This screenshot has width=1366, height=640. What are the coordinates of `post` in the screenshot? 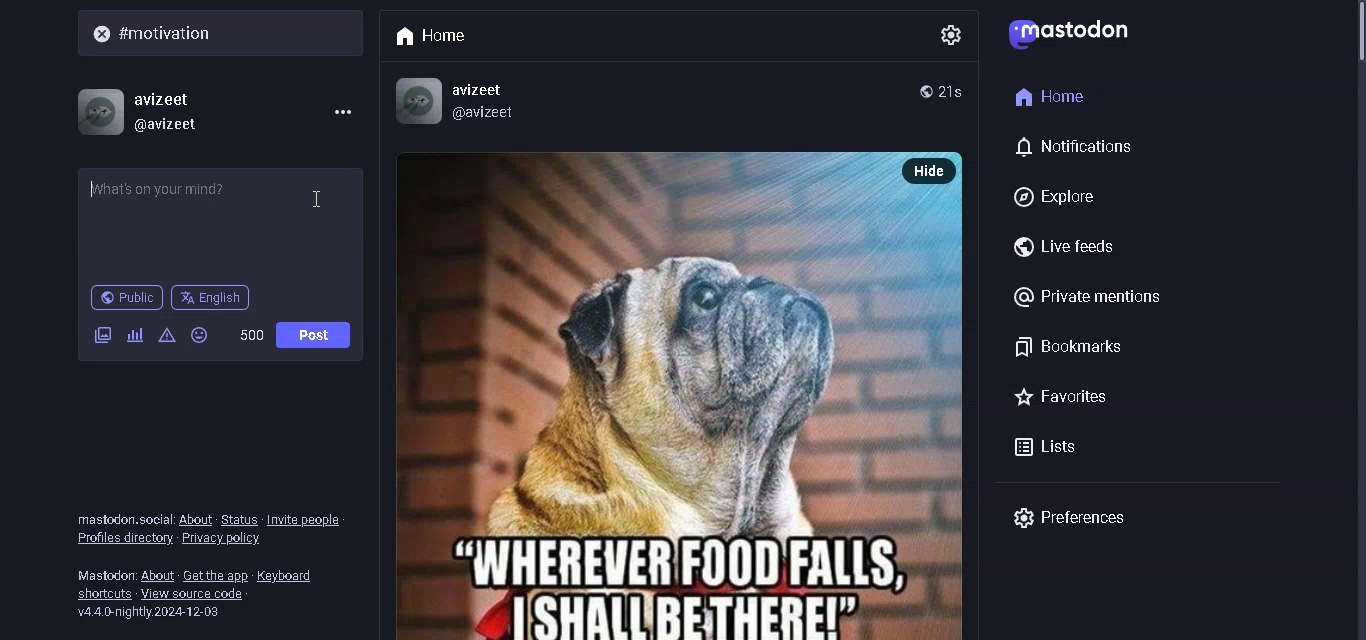 It's located at (317, 333).